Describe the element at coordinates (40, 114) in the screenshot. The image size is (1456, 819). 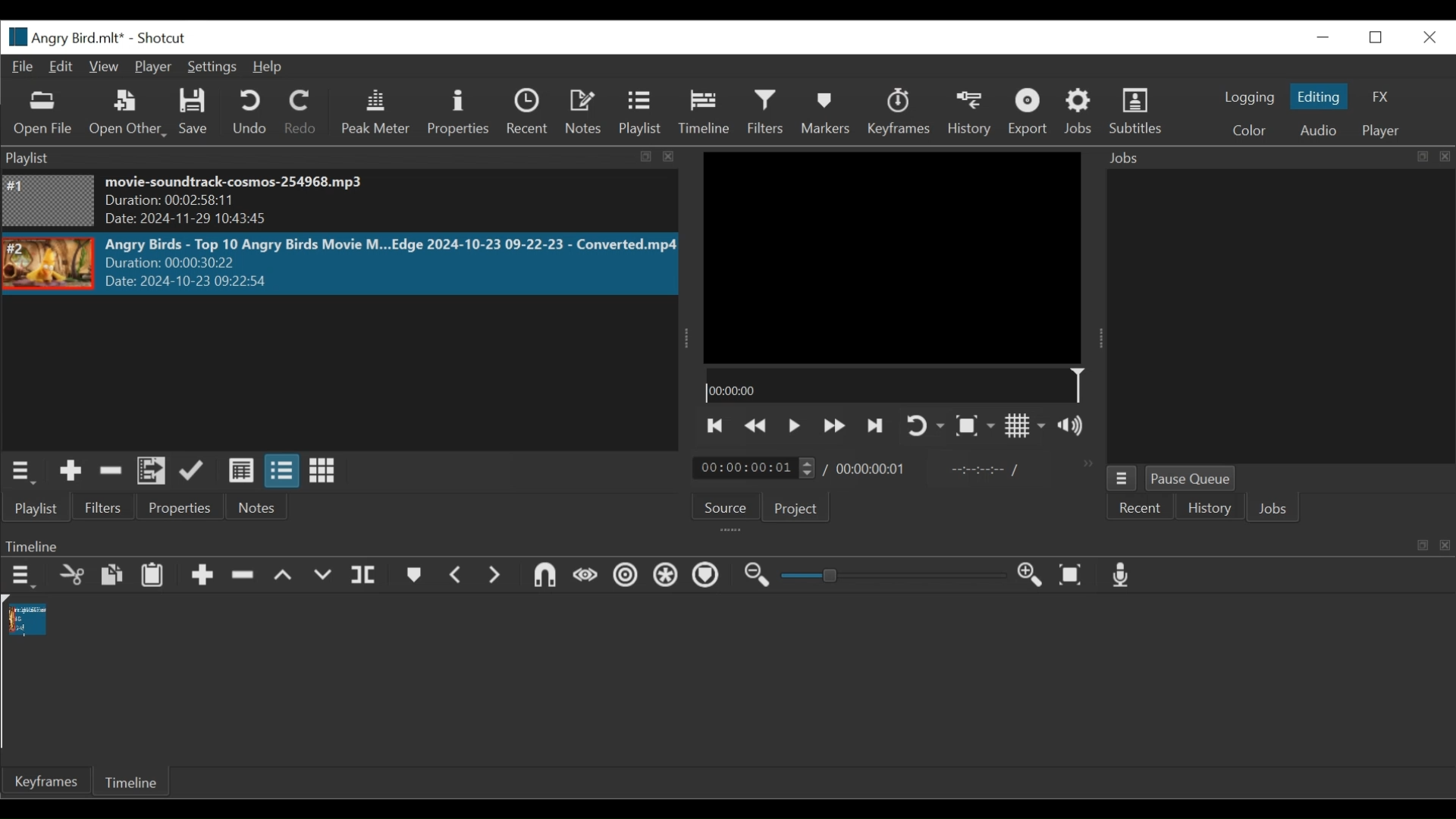
I see `Open File` at that location.